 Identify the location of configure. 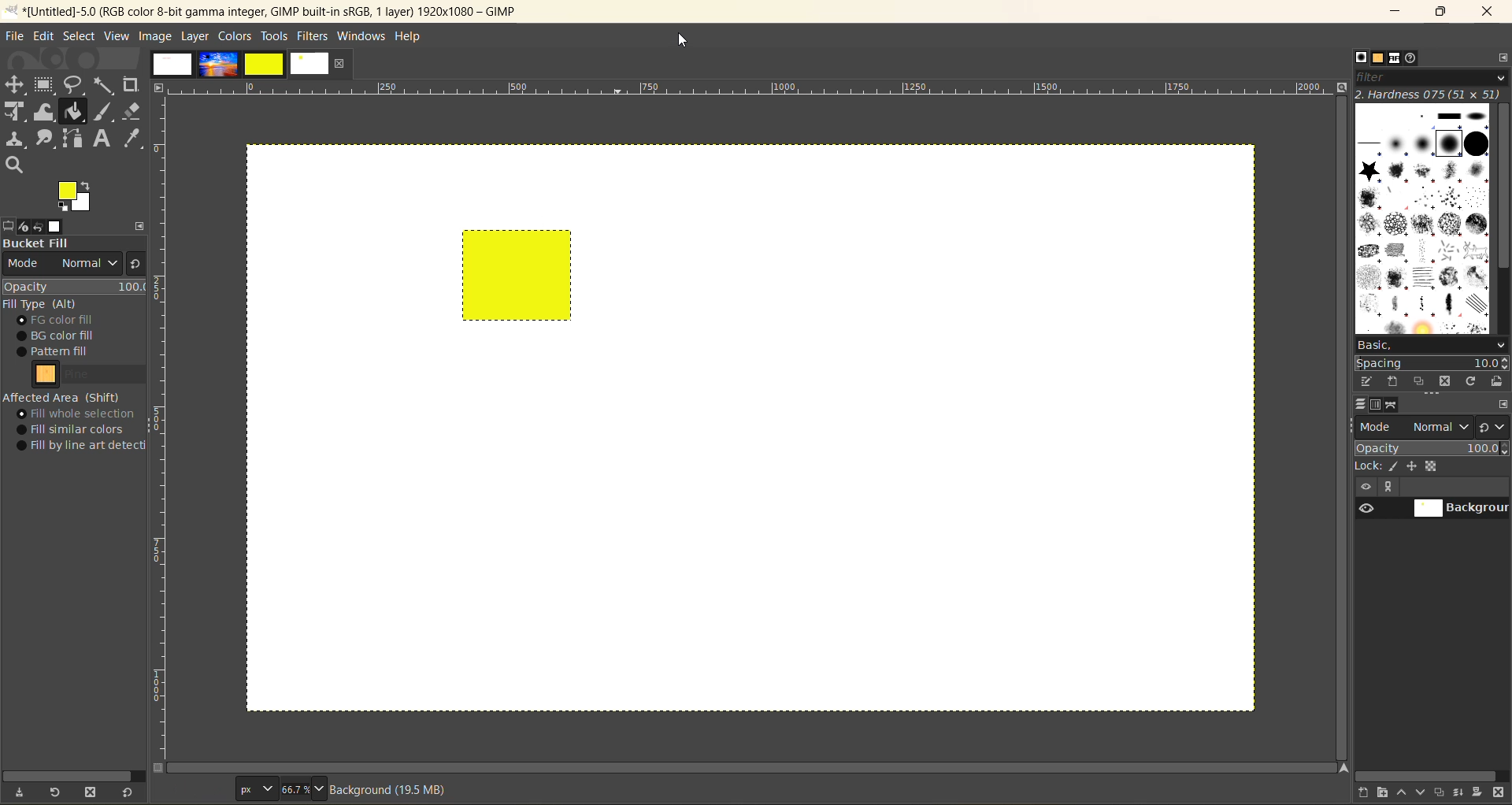
(1501, 61).